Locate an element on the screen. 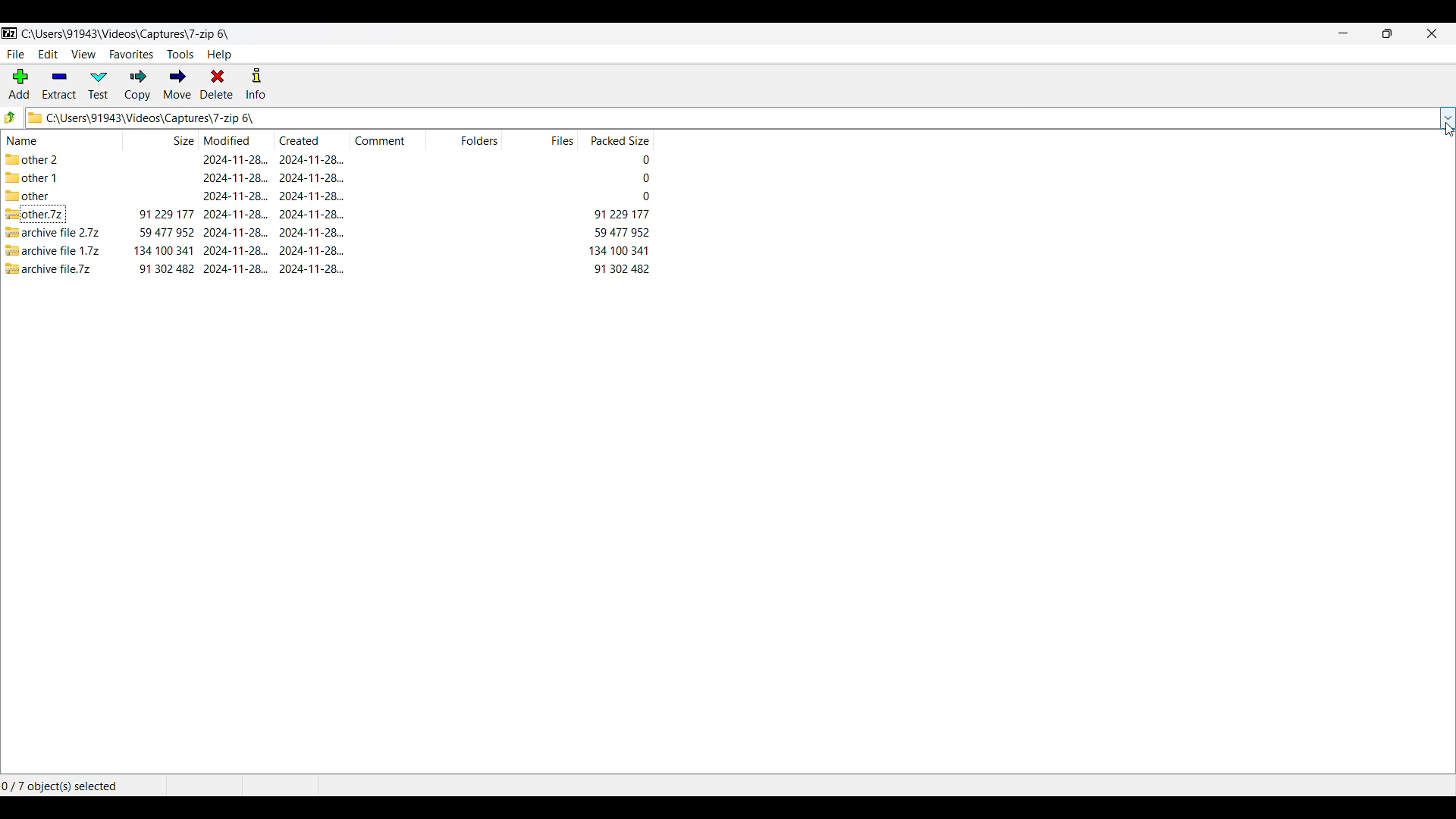 The width and height of the screenshot is (1456, 819). size is located at coordinates (167, 214).